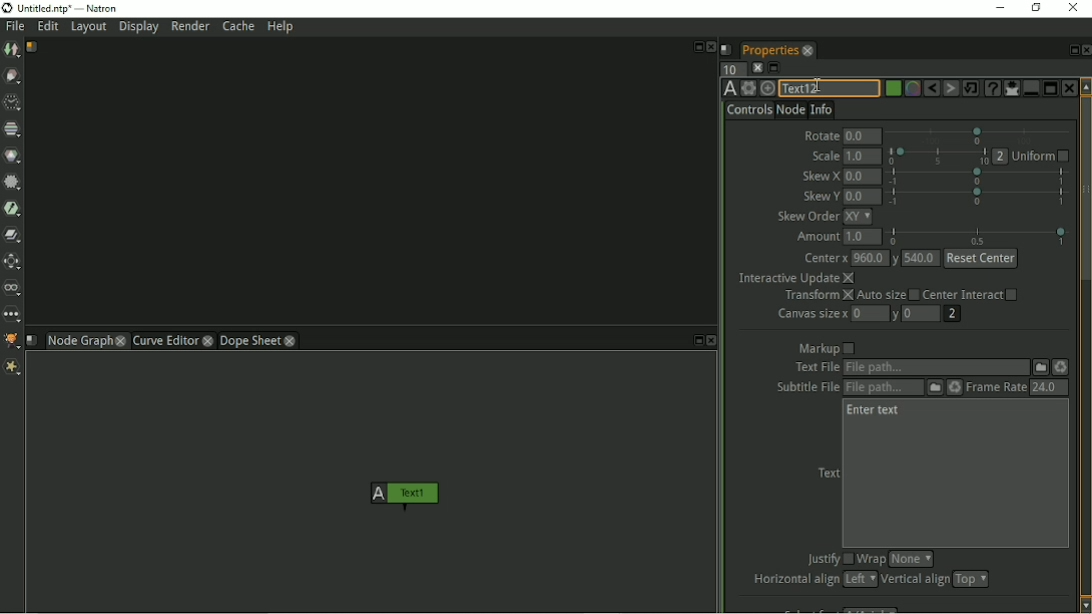 Image resolution: width=1092 pixels, height=614 pixels. I want to click on Redo, so click(951, 89).